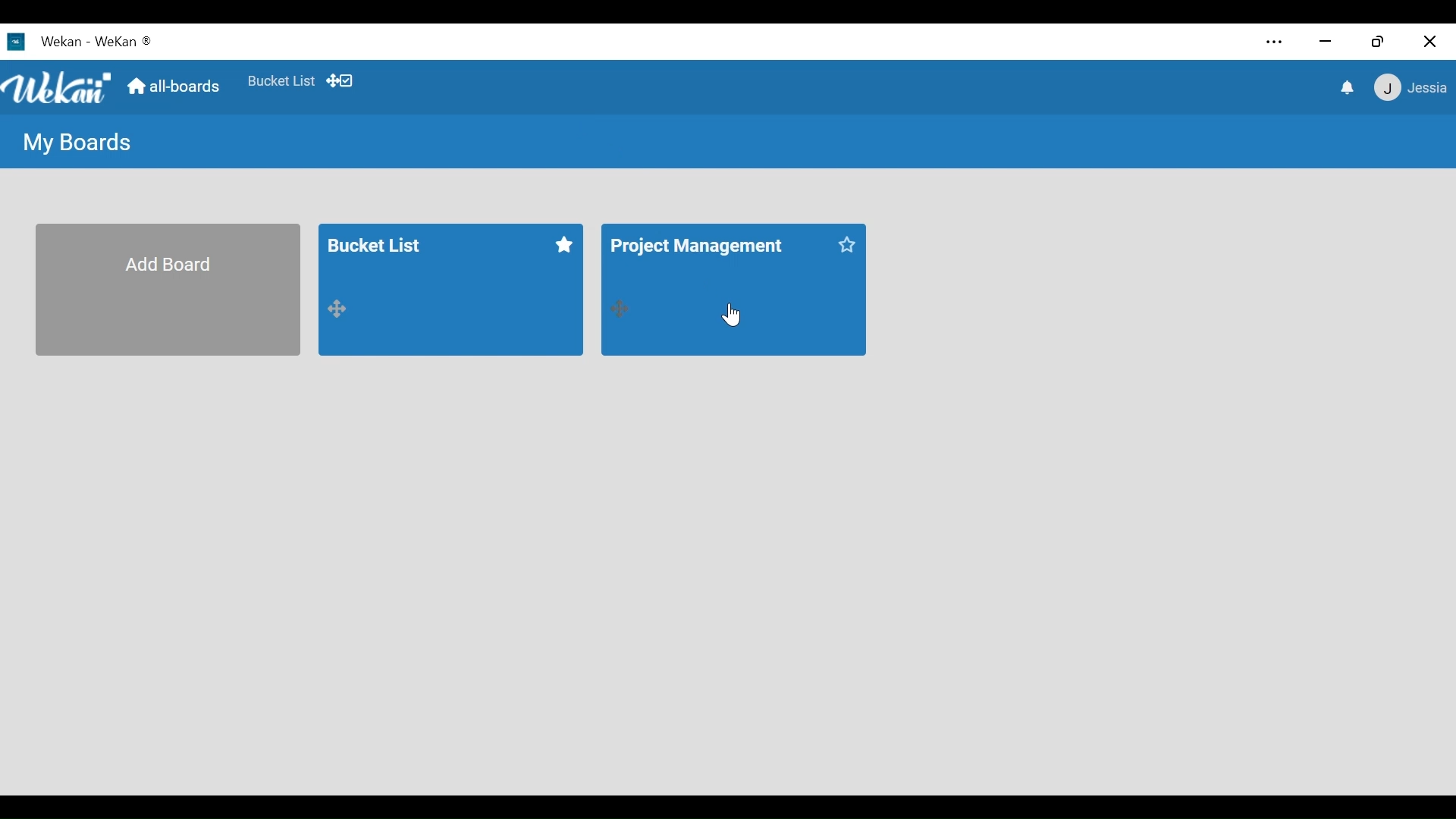  What do you see at coordinates (175, 82) in the screenshot?
I see `Home(all boards)` at bounding box center [175, 82].